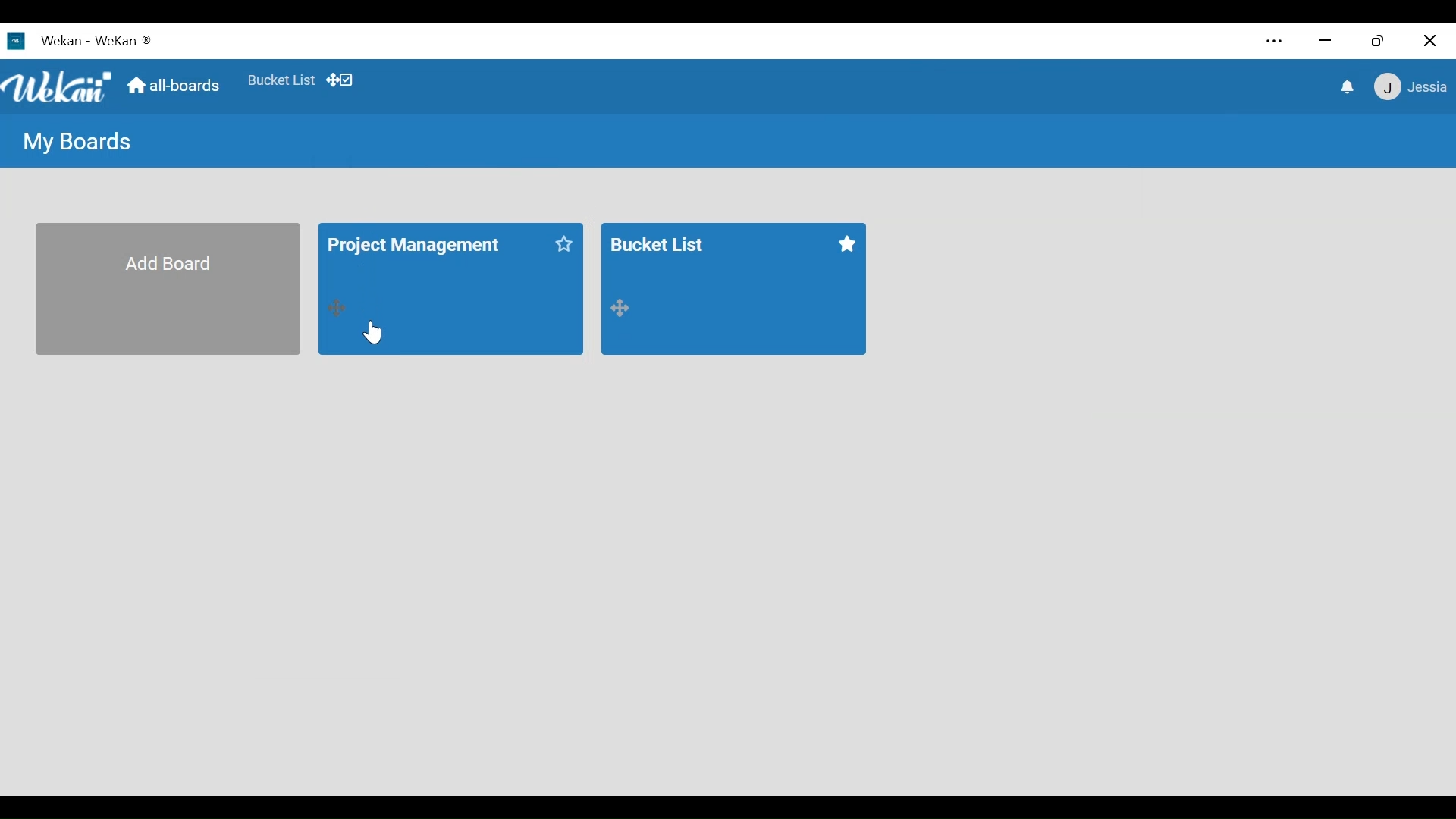 This screenshot has width=1456, height=819. What do you see at coordinates (1432, 40) in the screenshot?
I see `Close` at bounding box center [1432, 40].